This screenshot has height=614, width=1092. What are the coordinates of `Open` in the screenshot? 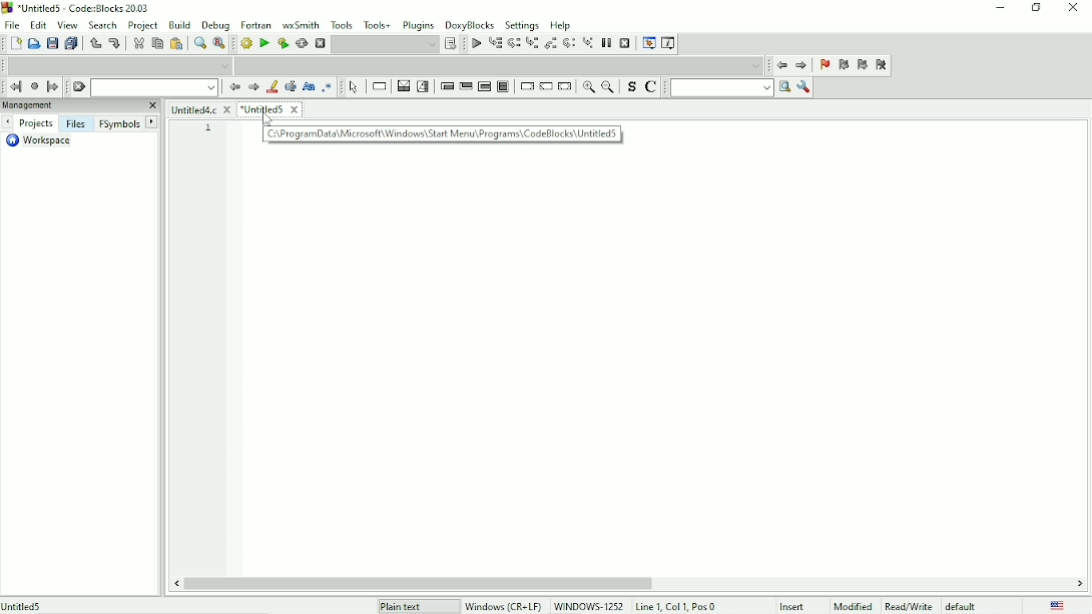 It's located at (33, 43).